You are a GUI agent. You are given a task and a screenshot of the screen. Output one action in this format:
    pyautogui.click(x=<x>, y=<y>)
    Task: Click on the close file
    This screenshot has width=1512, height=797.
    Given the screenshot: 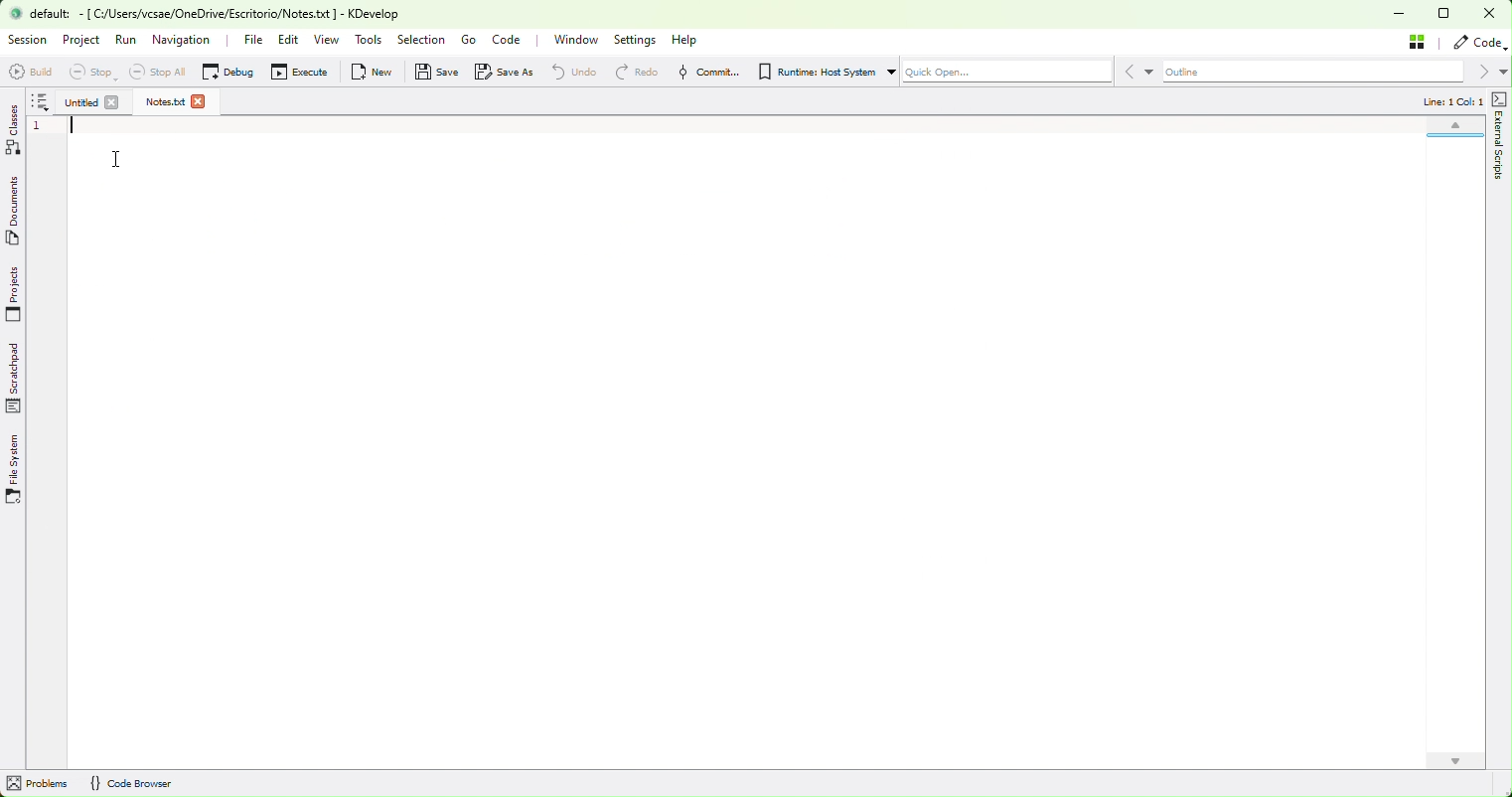 What is the action you would take?
    pyautogui.click(x=200, y=101)
    